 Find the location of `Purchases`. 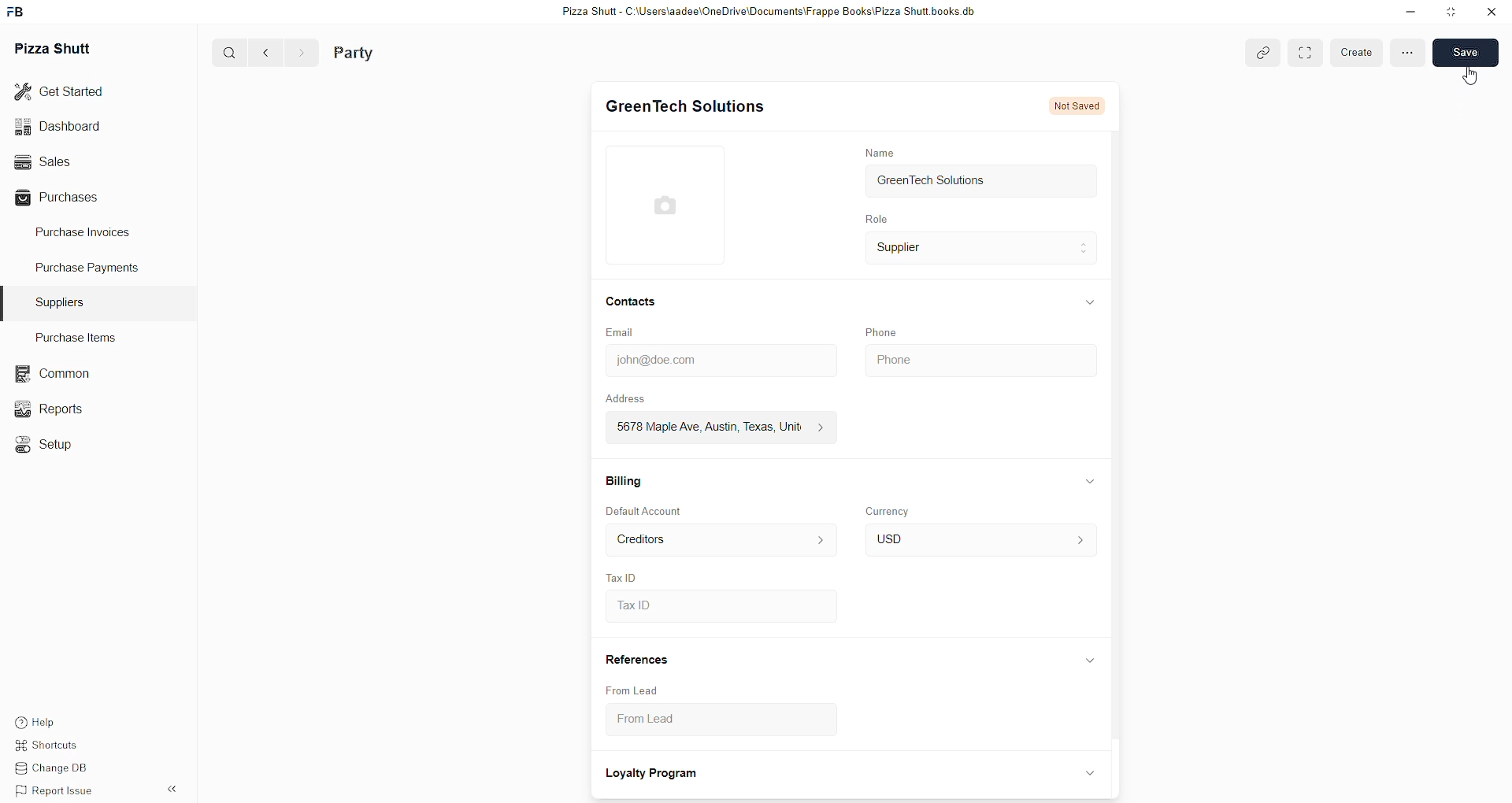

Purchases is located at coordinates (76, 197).